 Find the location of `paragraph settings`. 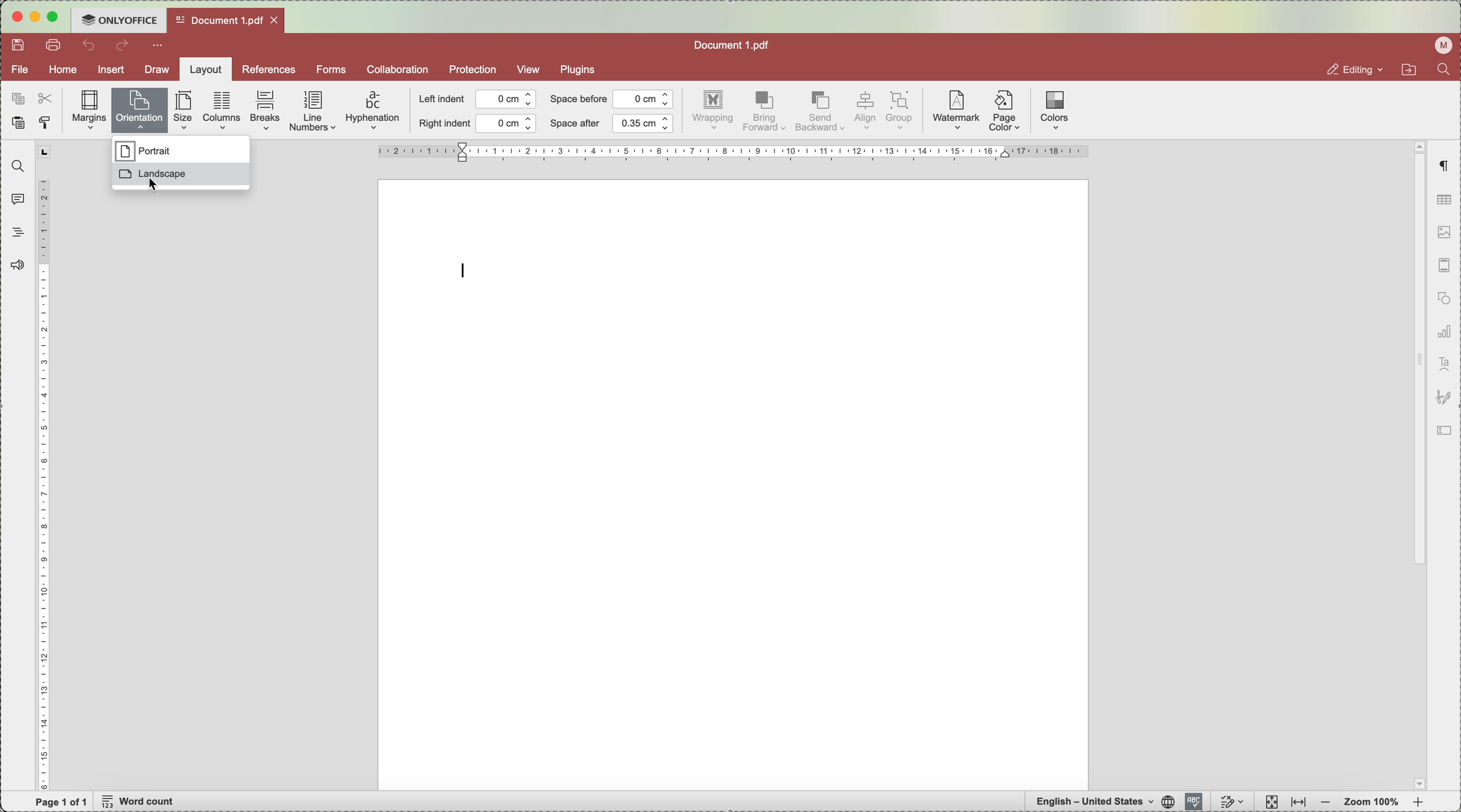

paragraph settings is located at coordinates (1443, 167).